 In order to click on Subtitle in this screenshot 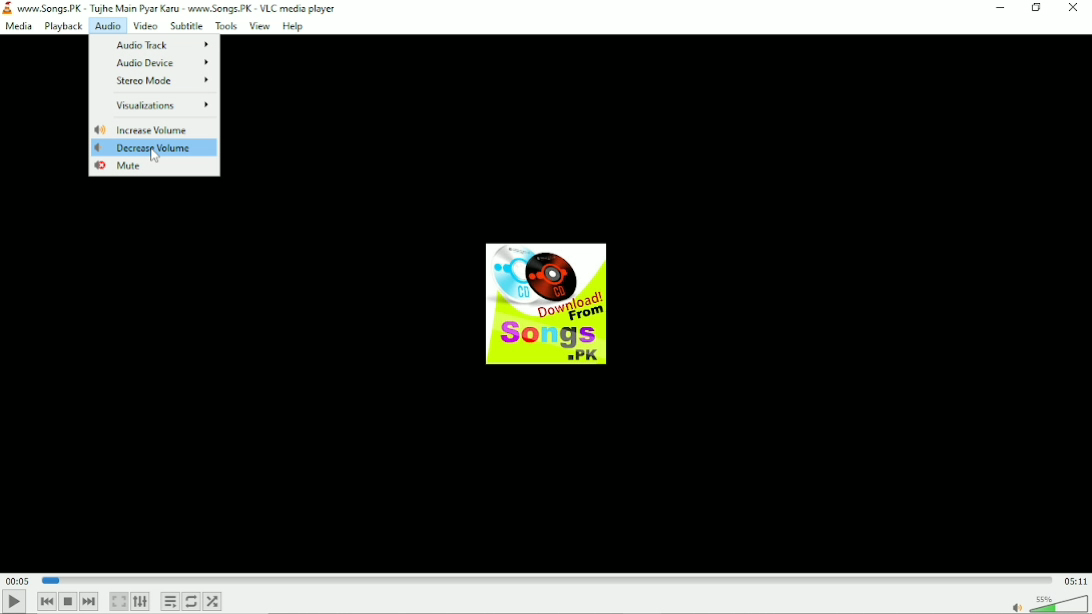, I will do `click(186, 25)`.